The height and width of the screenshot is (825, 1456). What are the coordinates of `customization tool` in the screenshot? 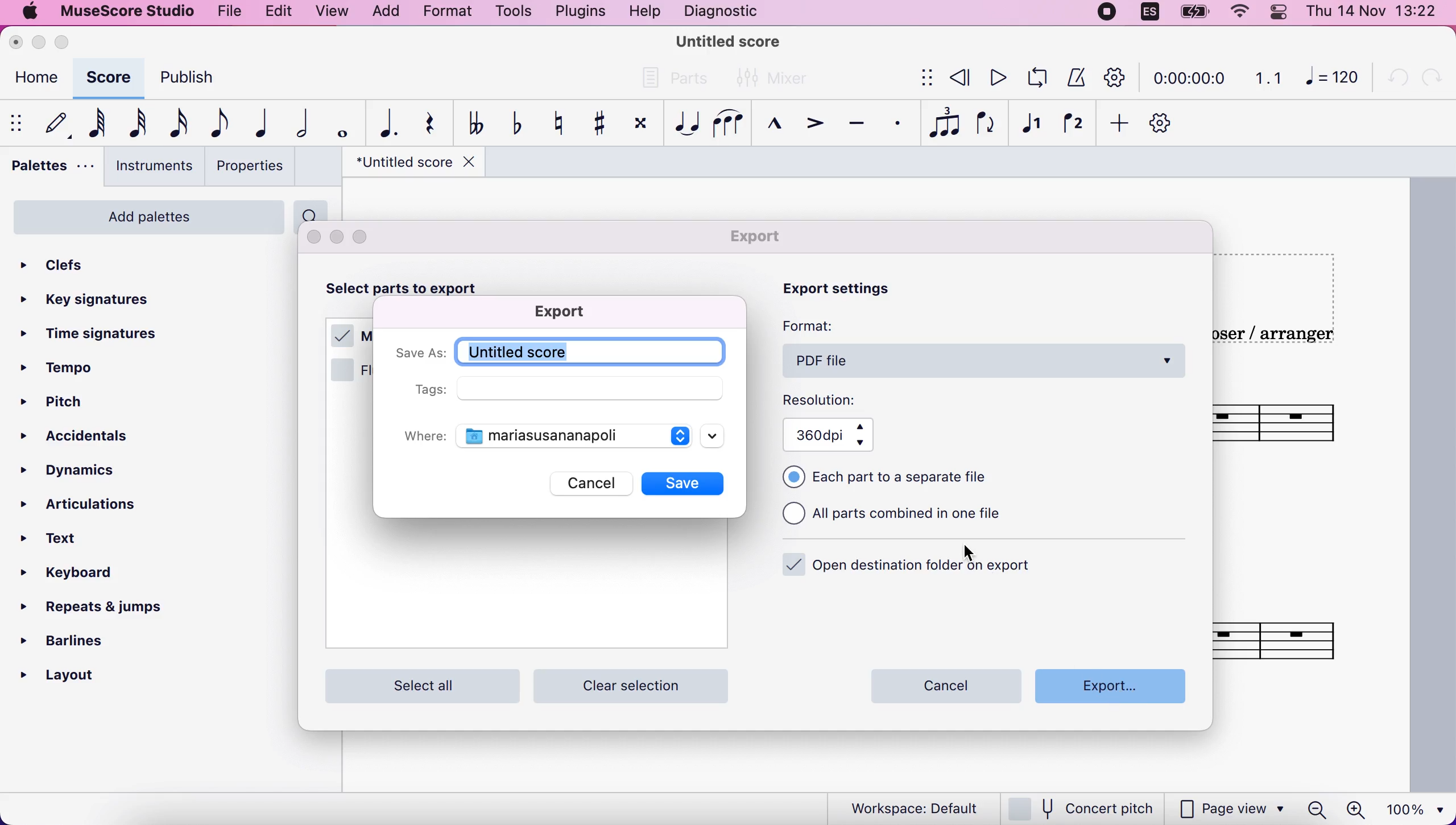 It's located at (1111, 77).